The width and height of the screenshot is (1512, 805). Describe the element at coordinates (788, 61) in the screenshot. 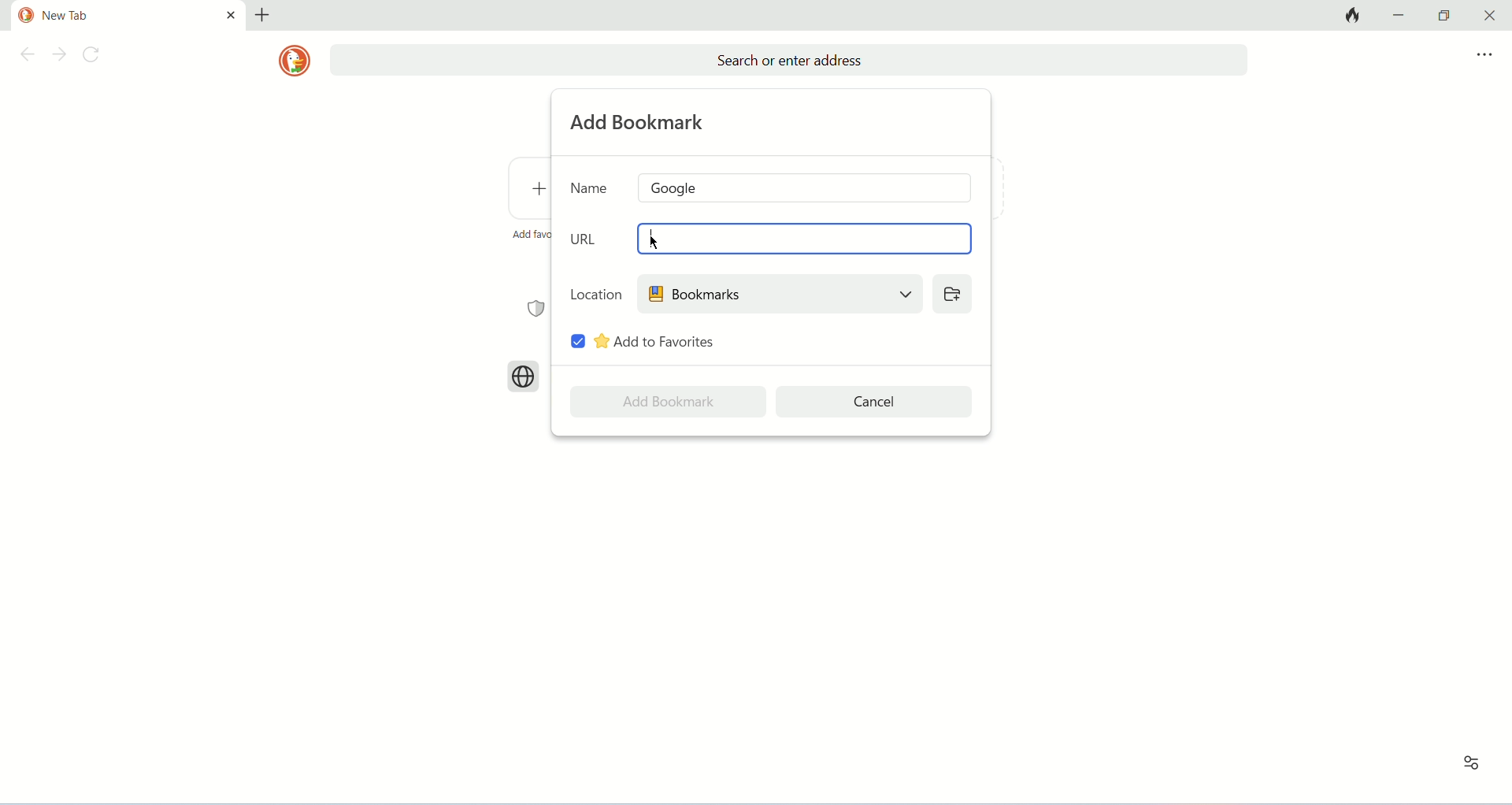

I see `search or enter address` at that location.